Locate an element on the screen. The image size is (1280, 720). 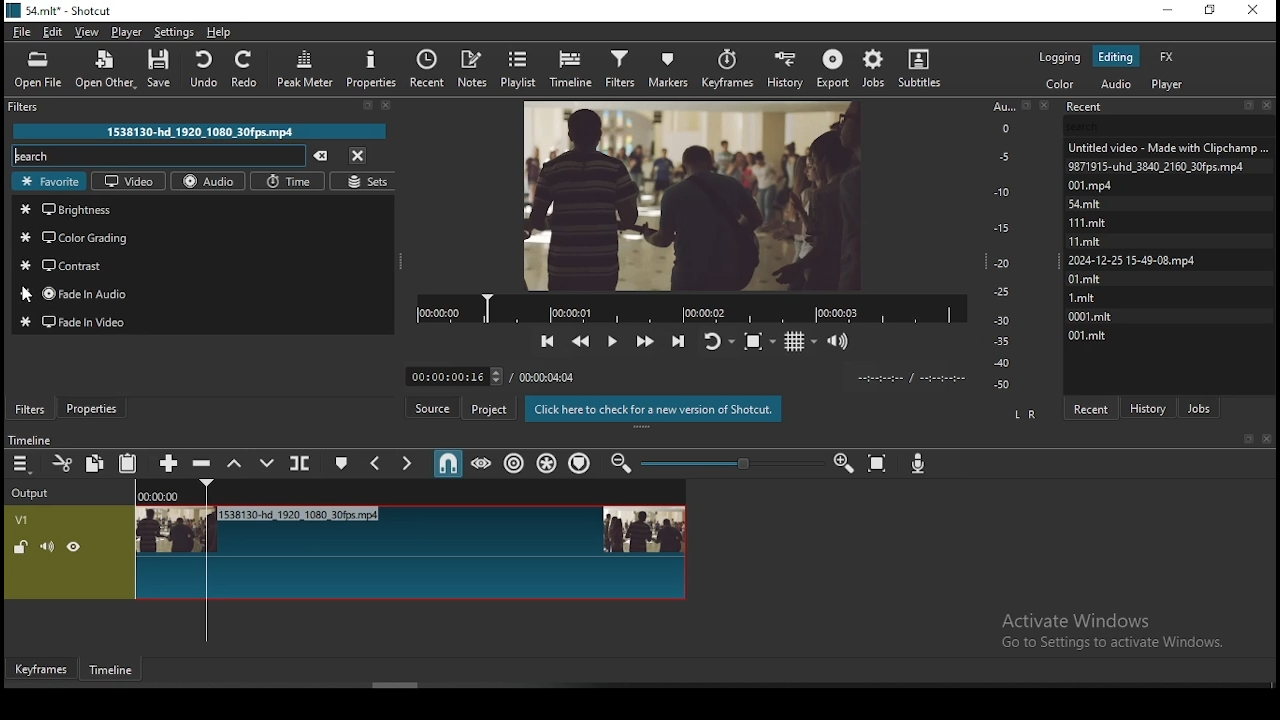
paste is located at coordinates (130, 463).